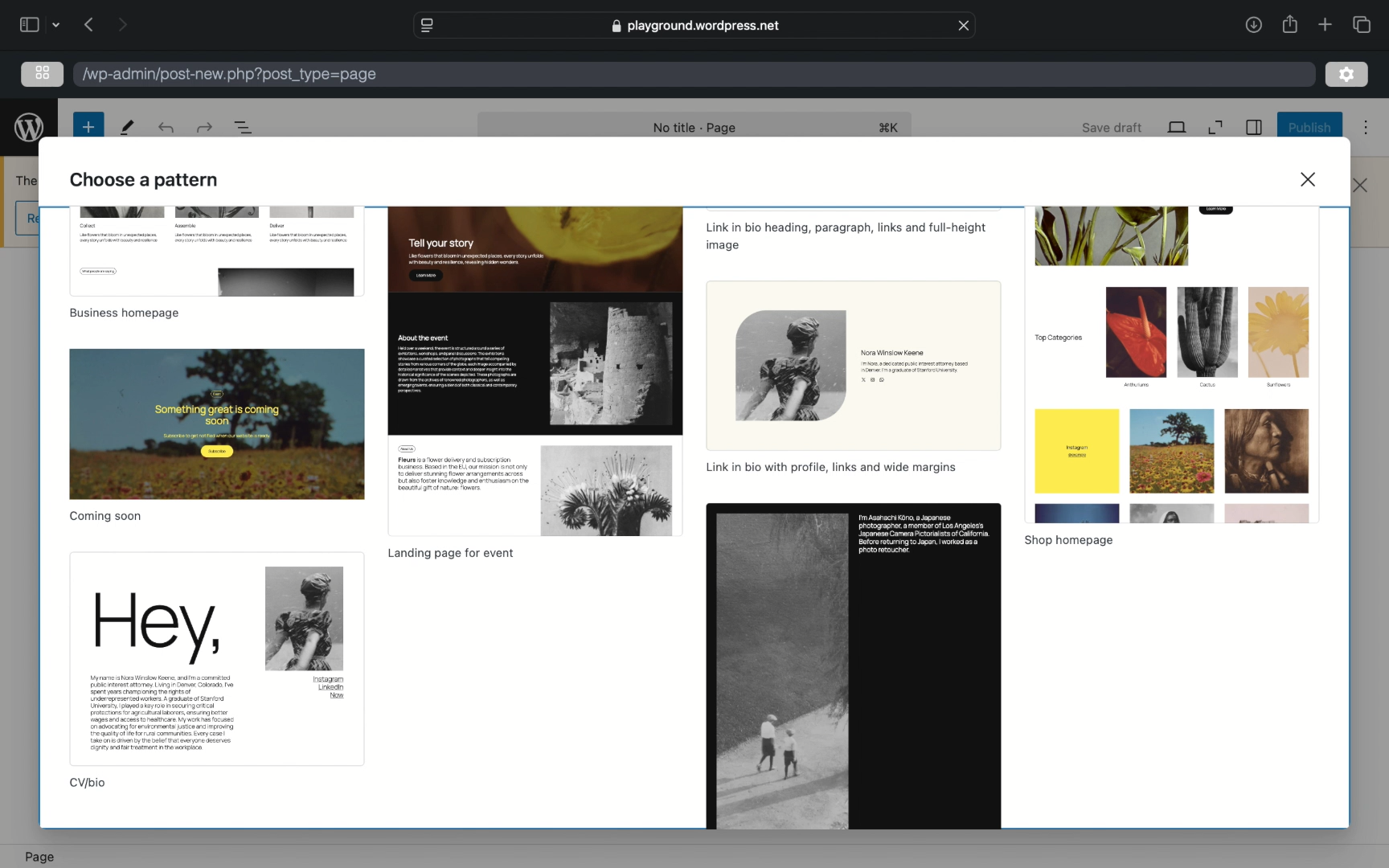 The height and width of the screenshot is (868, 1389). What do you see at coordinates (1252, 128) in the screenshot?
I see `sidebar` at bounding box center [1252, 128].